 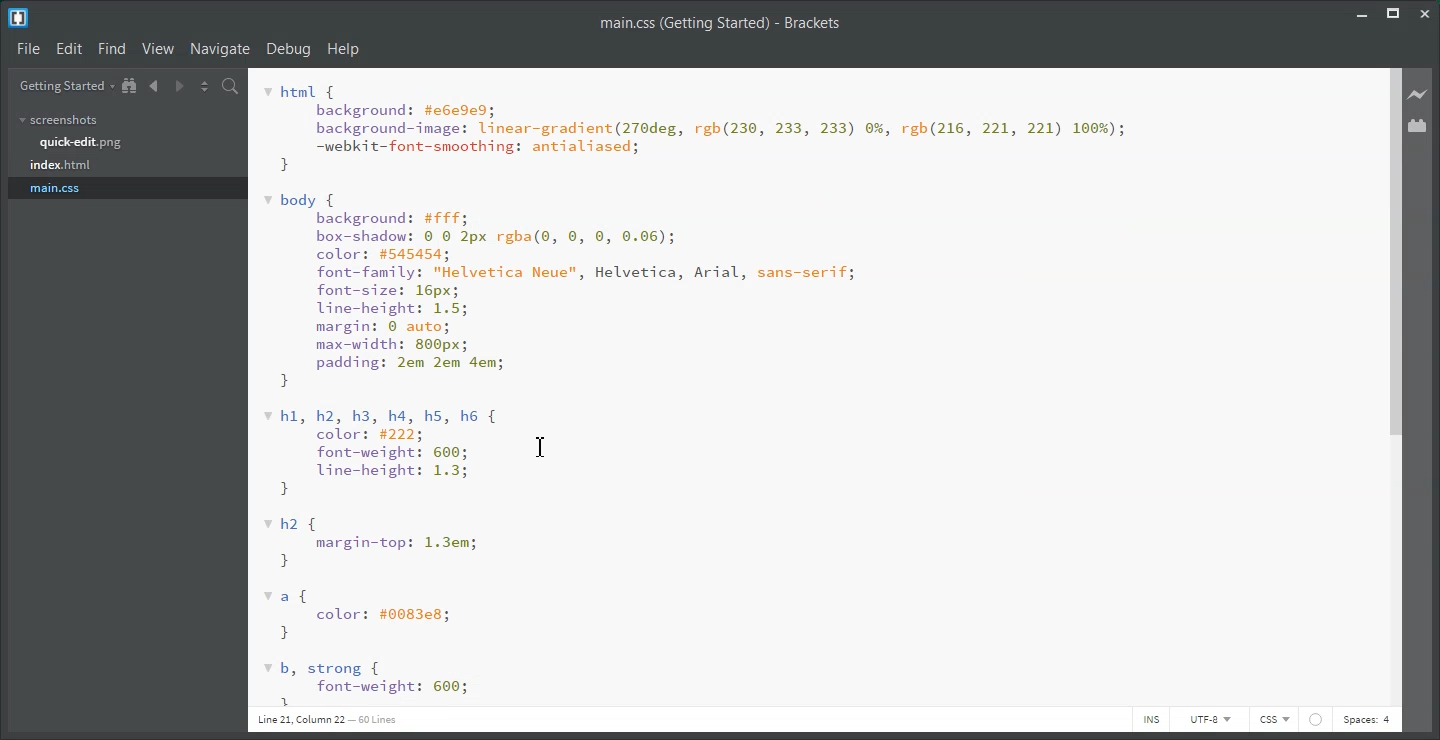 I want to click on line 21 column 29 208 lines, so click(x=331, y=719).